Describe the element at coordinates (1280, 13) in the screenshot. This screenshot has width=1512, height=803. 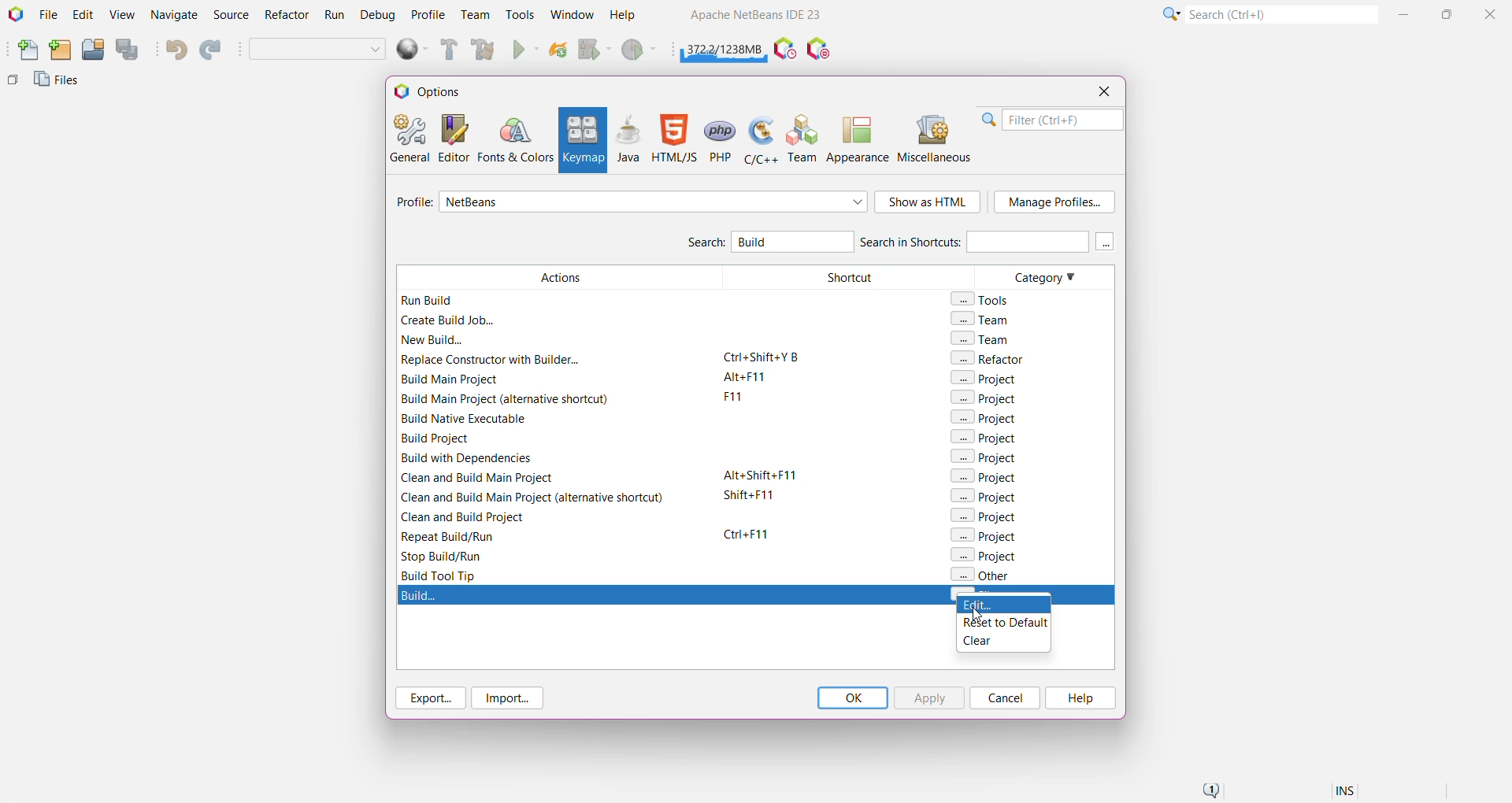
I see `Search` at that location.